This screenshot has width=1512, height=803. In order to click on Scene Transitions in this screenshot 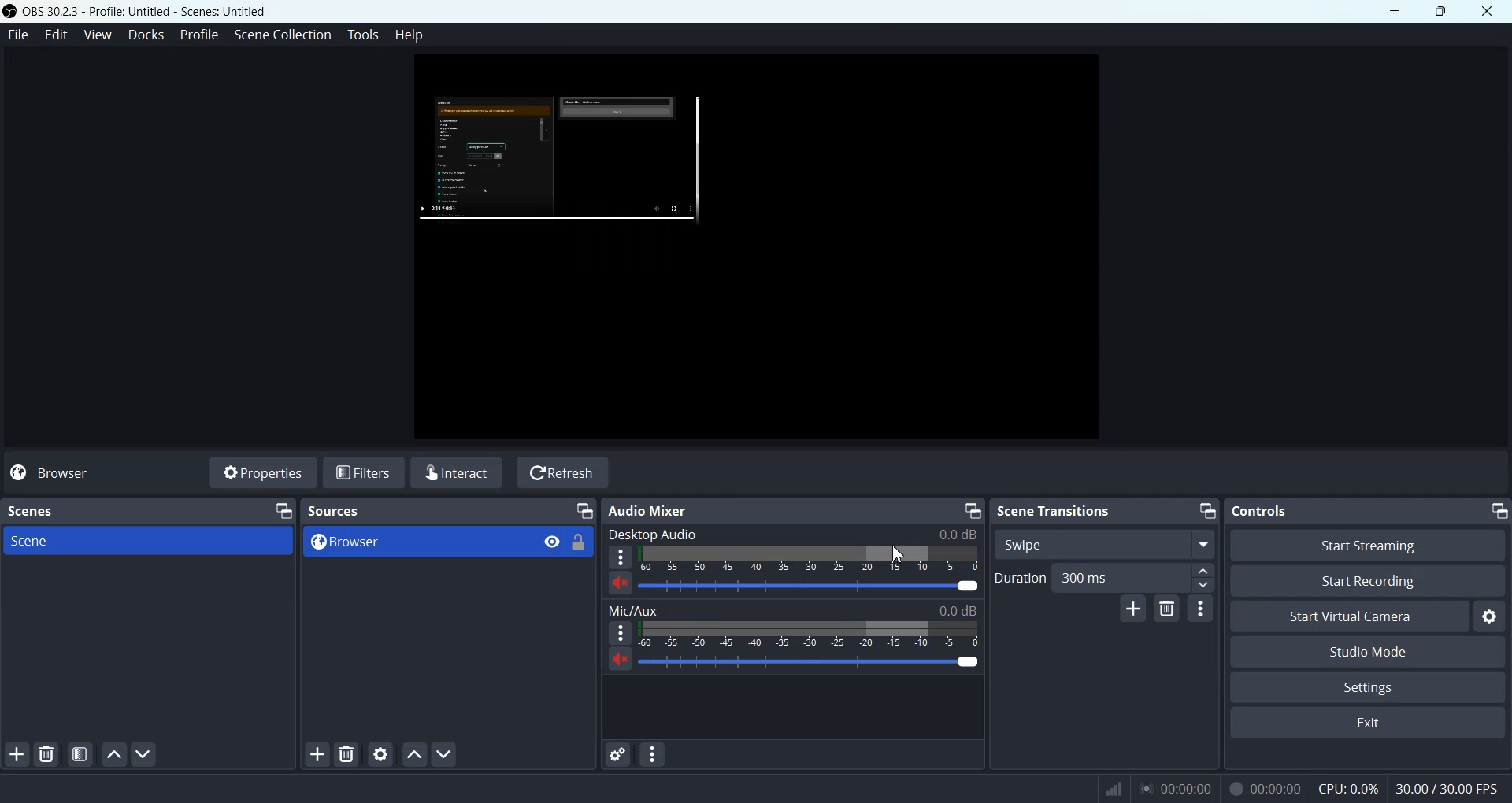, I will do `click(1051, 509)`.